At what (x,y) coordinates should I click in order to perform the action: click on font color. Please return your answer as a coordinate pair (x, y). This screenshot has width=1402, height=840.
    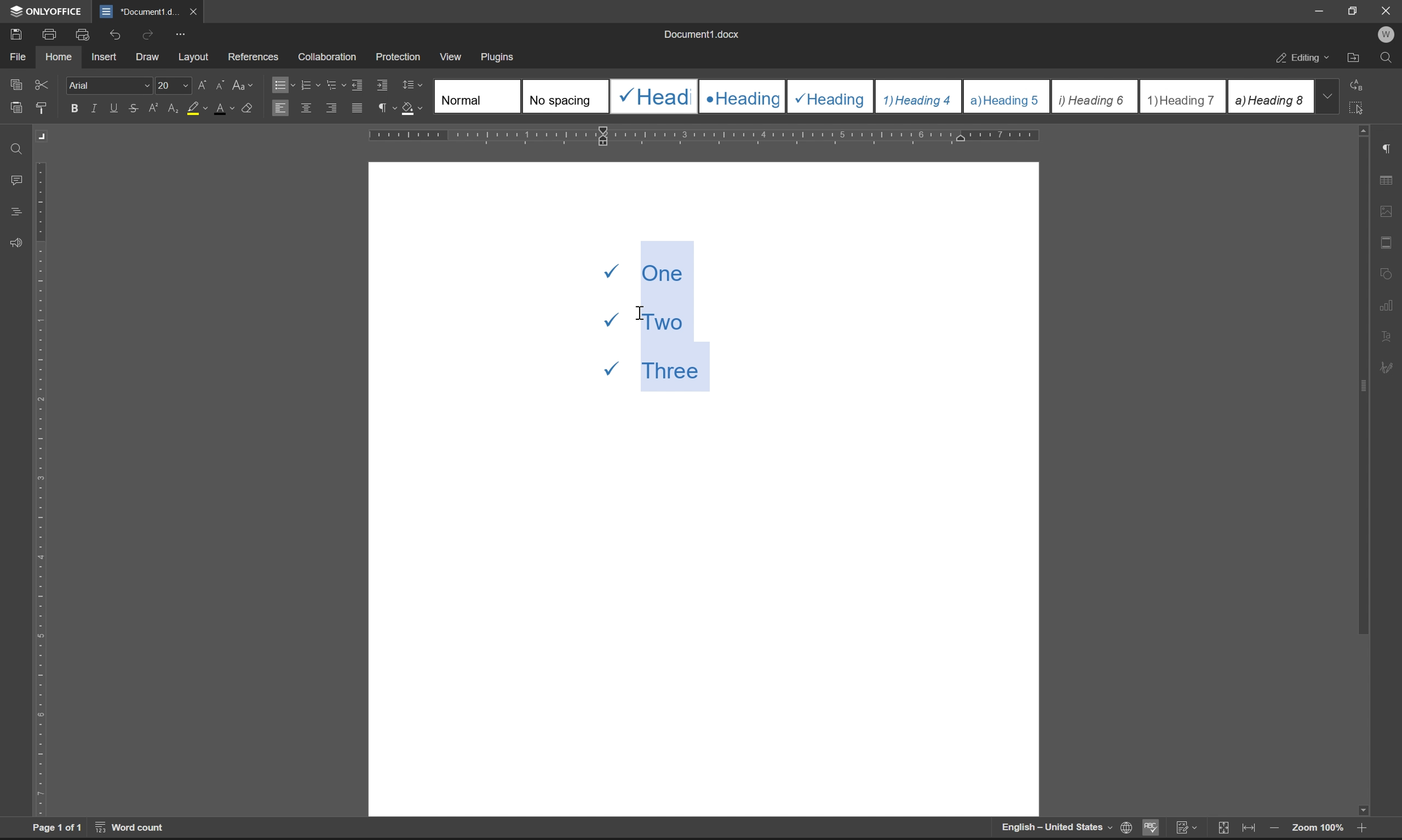
    Looking at the image, I should click on (225, 108).